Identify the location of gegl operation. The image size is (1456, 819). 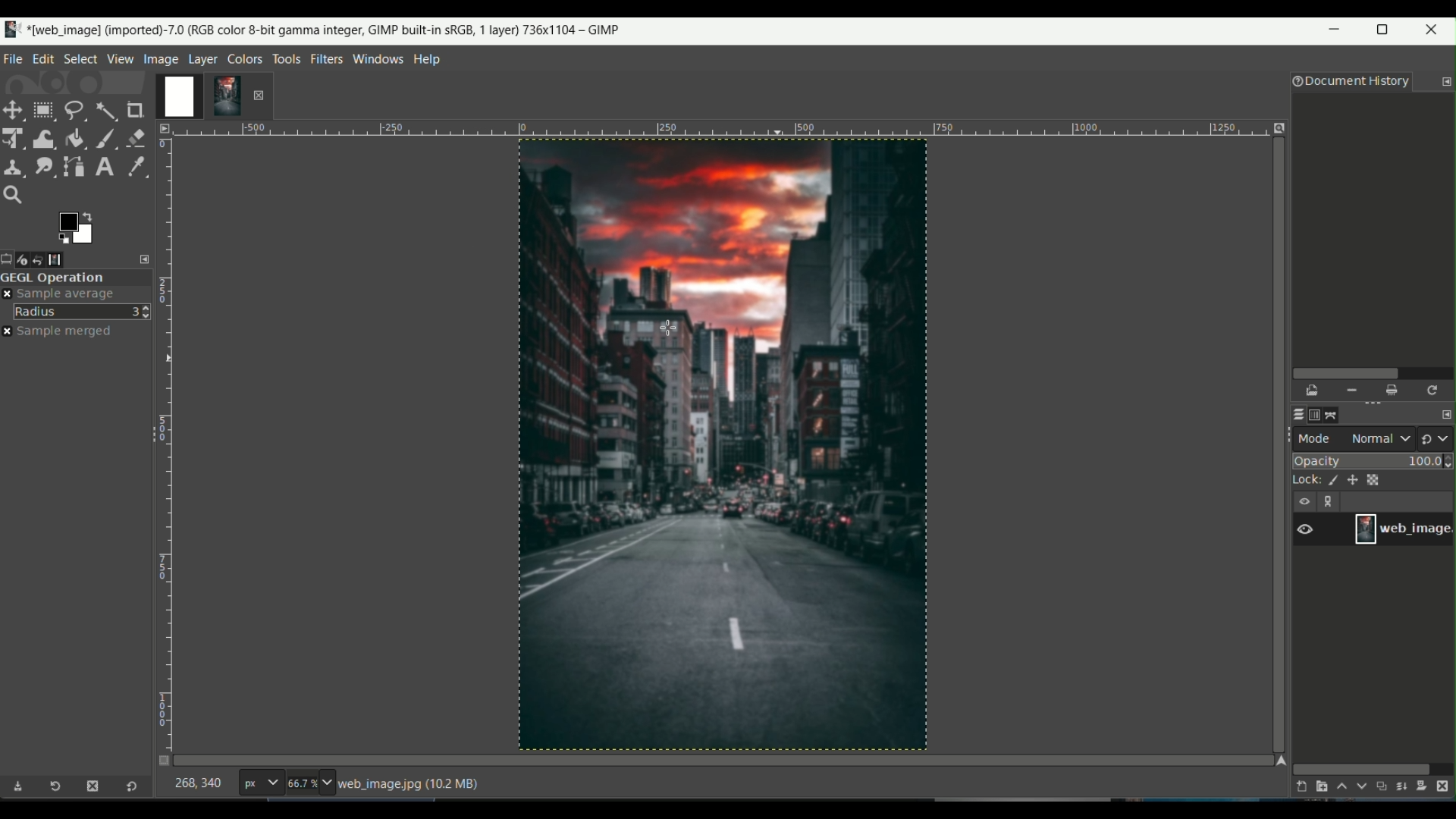
(76, 278).